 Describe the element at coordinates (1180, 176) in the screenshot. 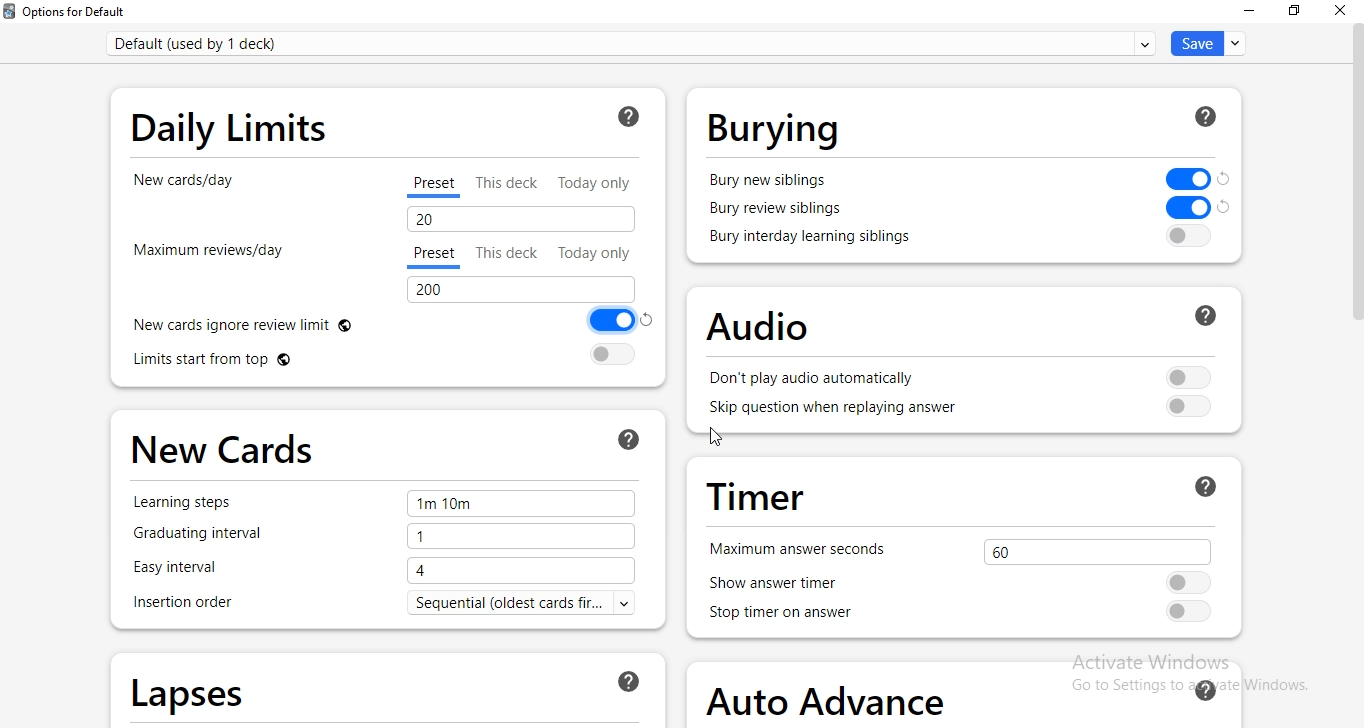

I see `Toggle` at that location.